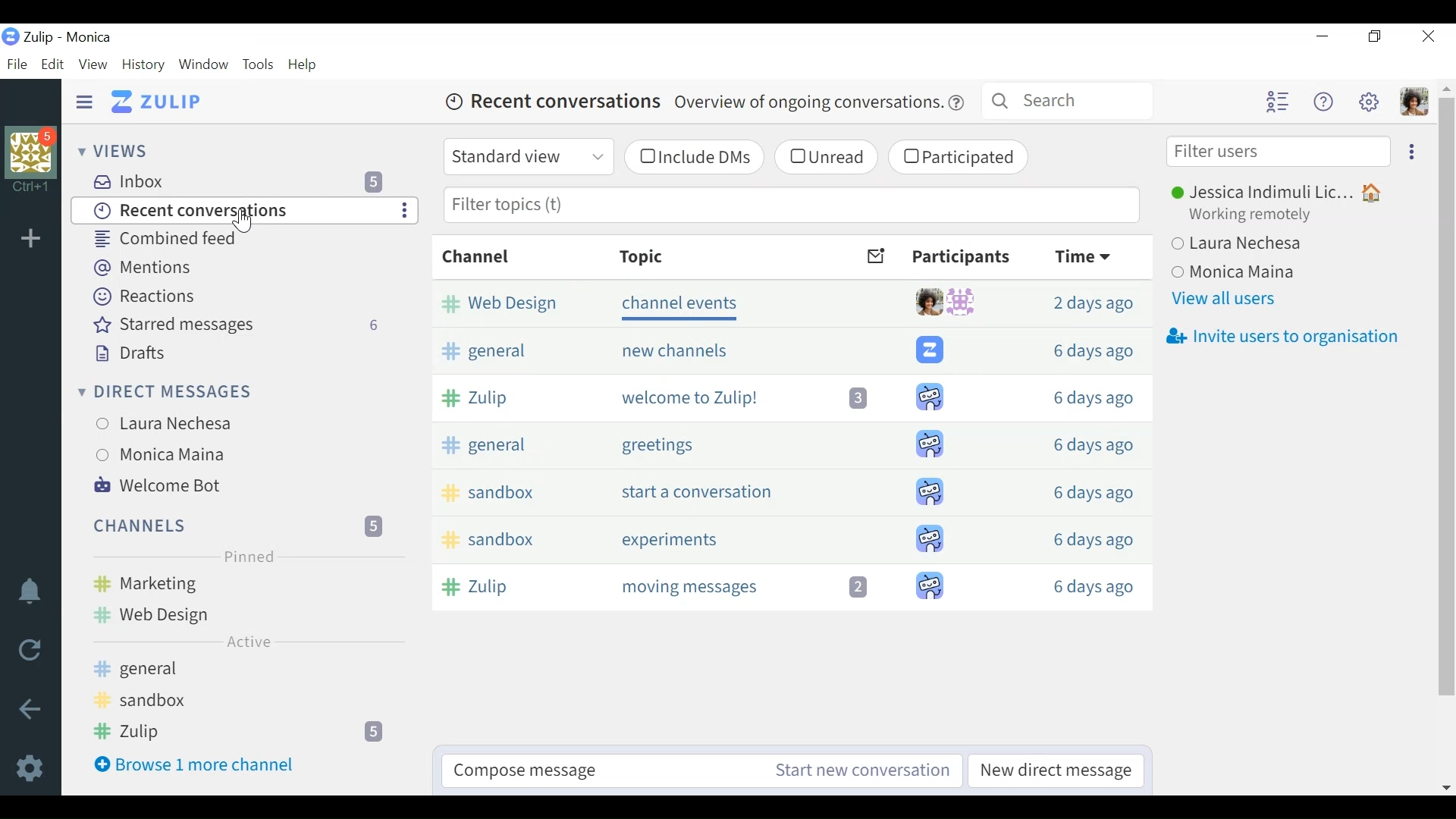 Image resolution: width=1456 pixels, height=819 pixels. What do you see at coordinates (181, 424) in the screenshot?
I see `Laura Nechesa` at bounding box center [181, 424].